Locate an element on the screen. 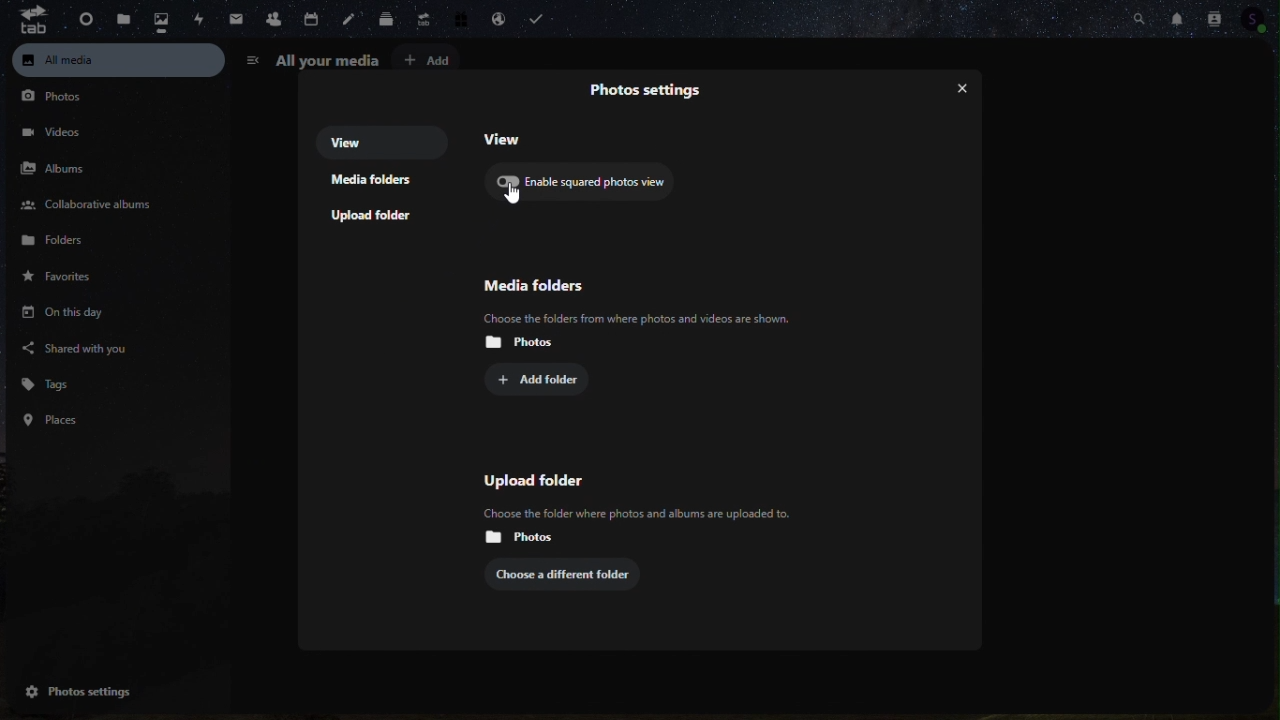 The image size is (1280, 720). Profile is located at coordinates (1258, 20).